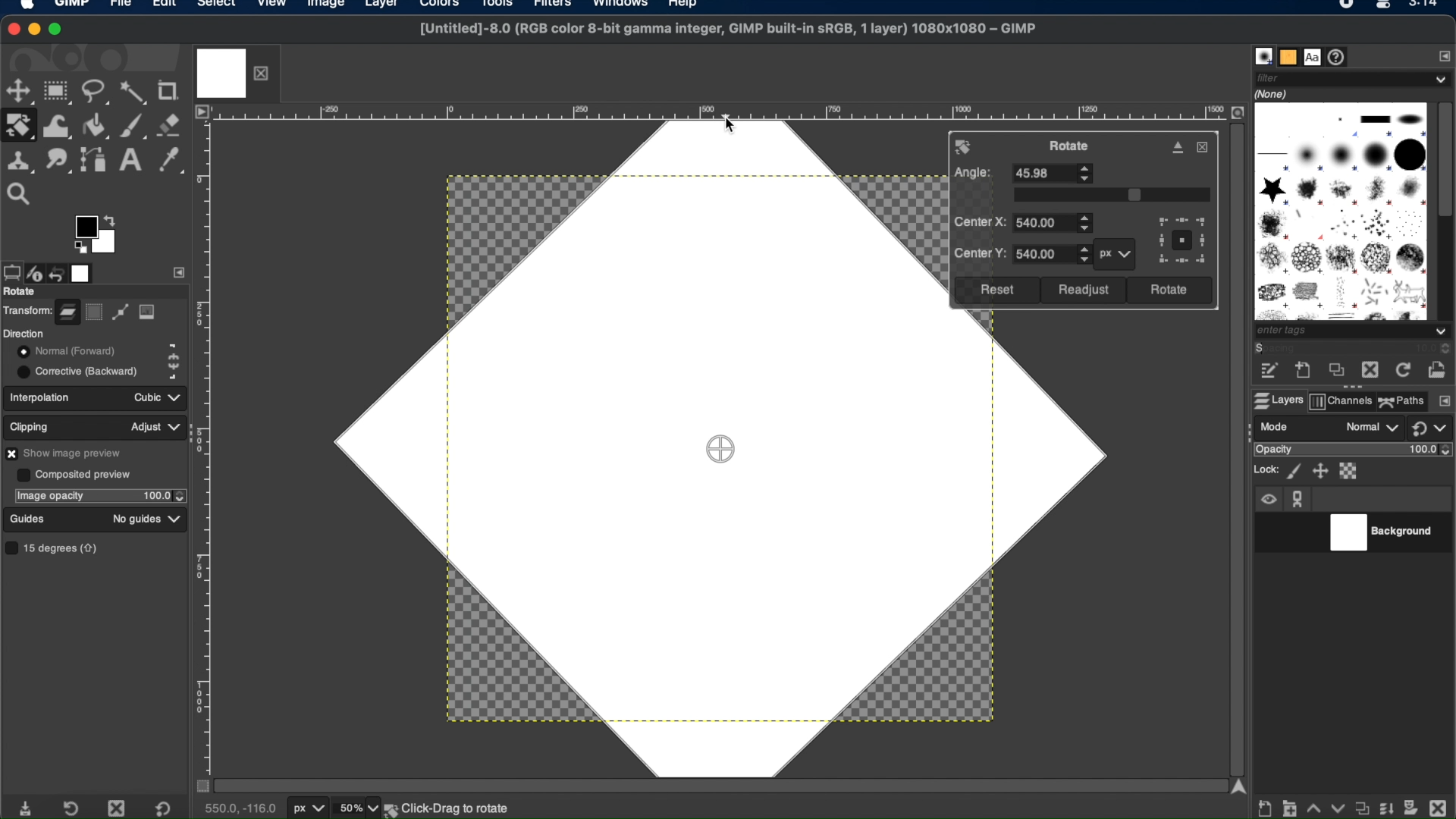 Image resolution: width=1456 pixels, height=819 pixels. What do you see at coordinates (118, 808) in the screenshot?
I see `delete tool preset` at bounding box center [118, 808].